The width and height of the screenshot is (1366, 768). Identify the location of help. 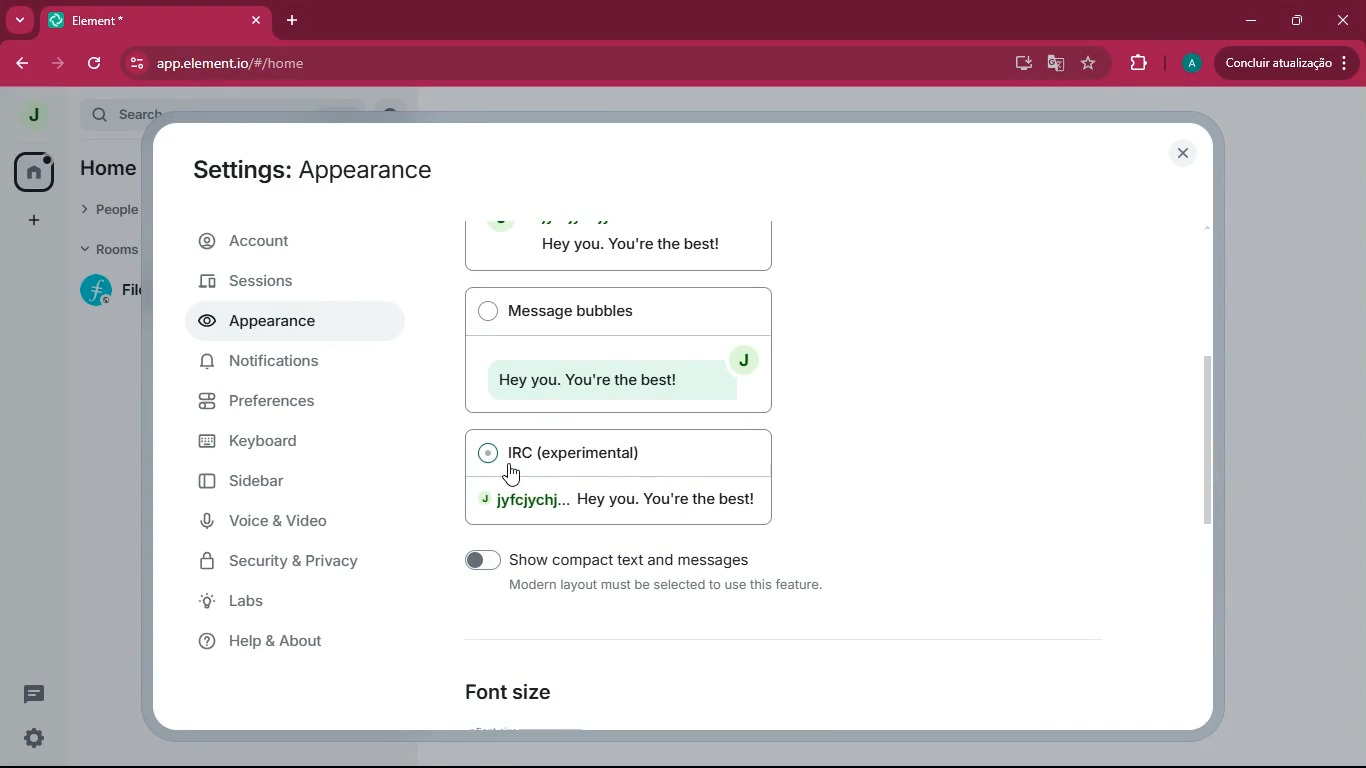
(301, 640).